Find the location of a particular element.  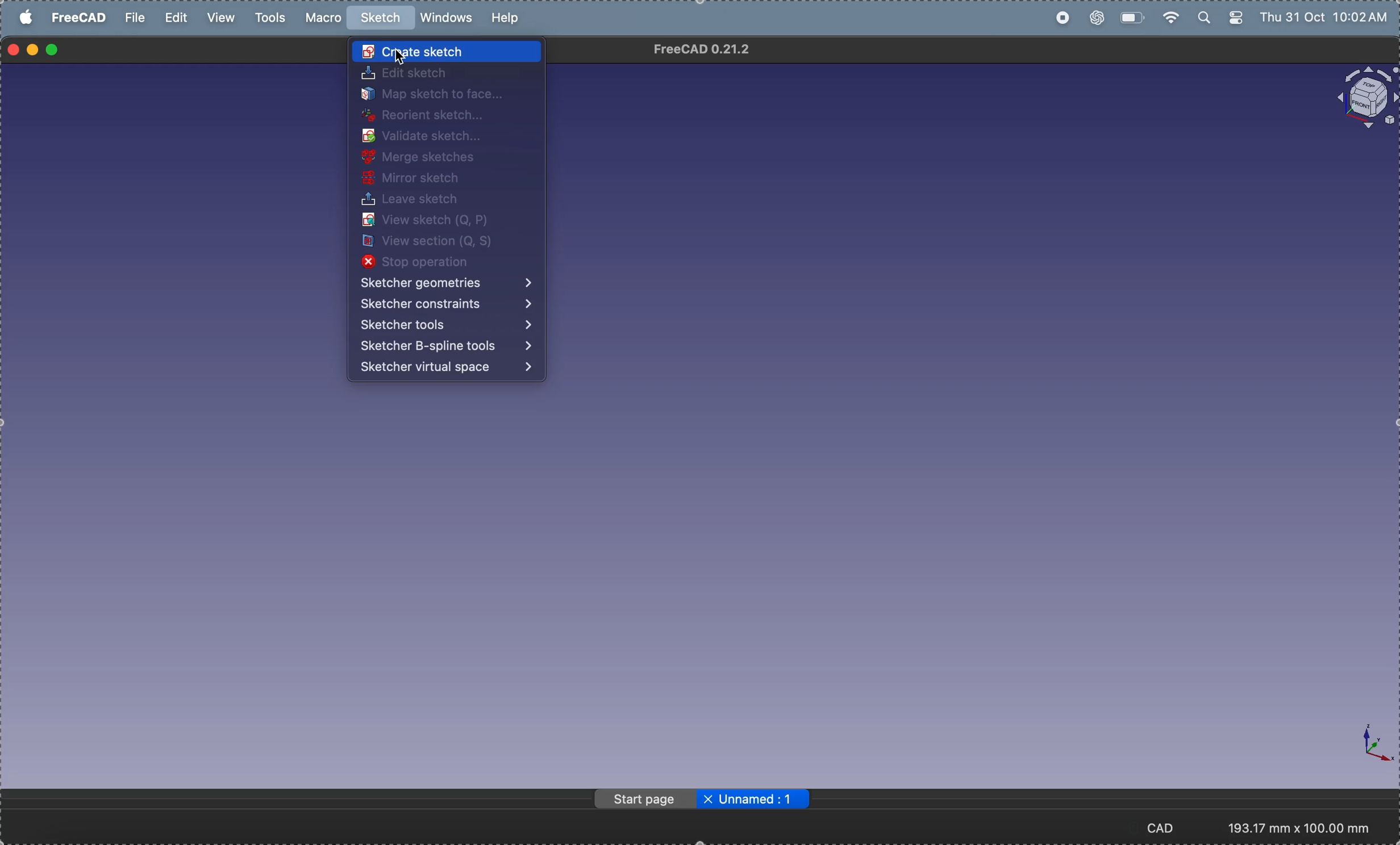

help is located at coordinates (507, 17).